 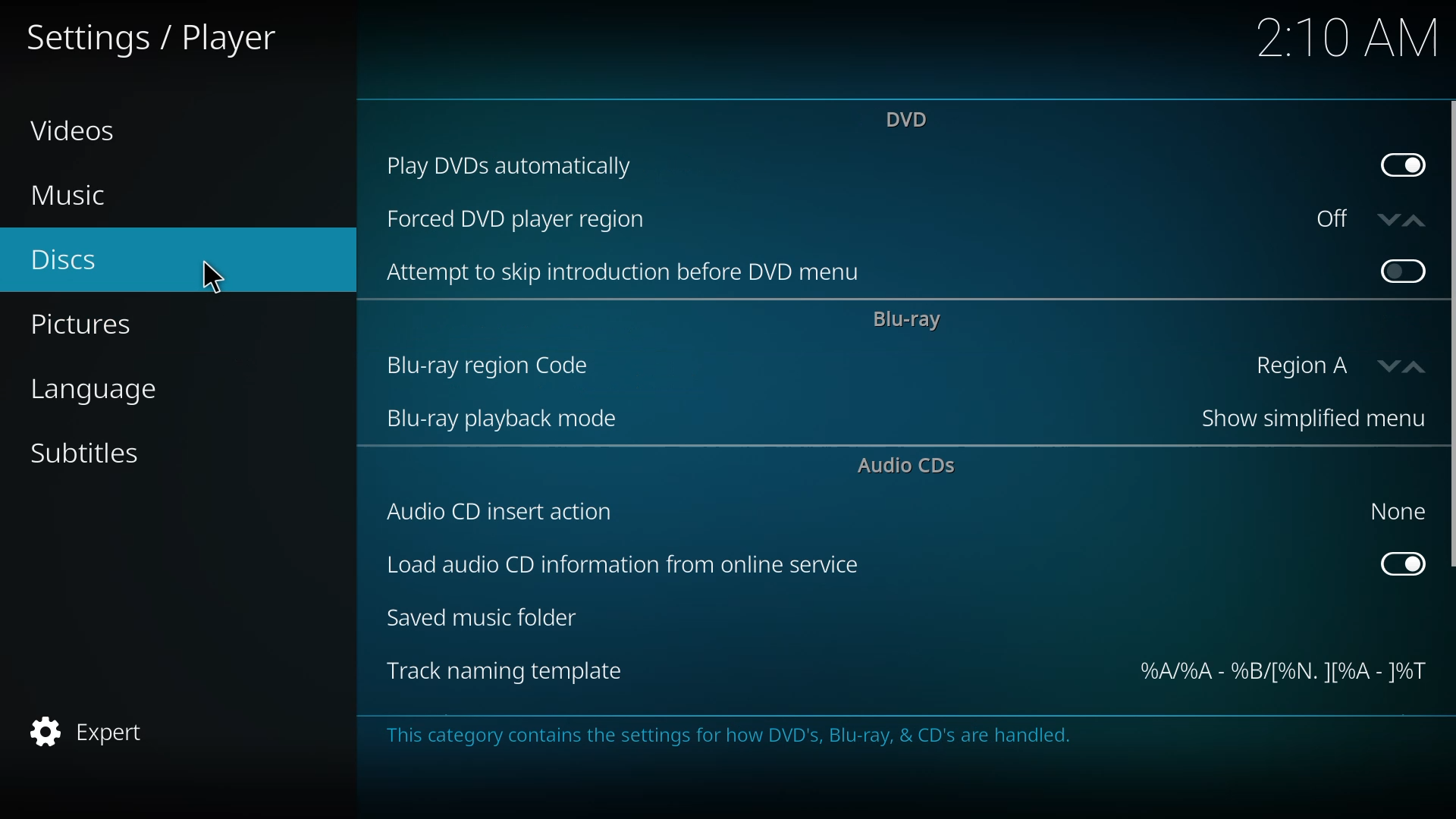 What do you see at coordinates (71, 194) in the screenshot?
I see `music` at bounding box center [71, 194].